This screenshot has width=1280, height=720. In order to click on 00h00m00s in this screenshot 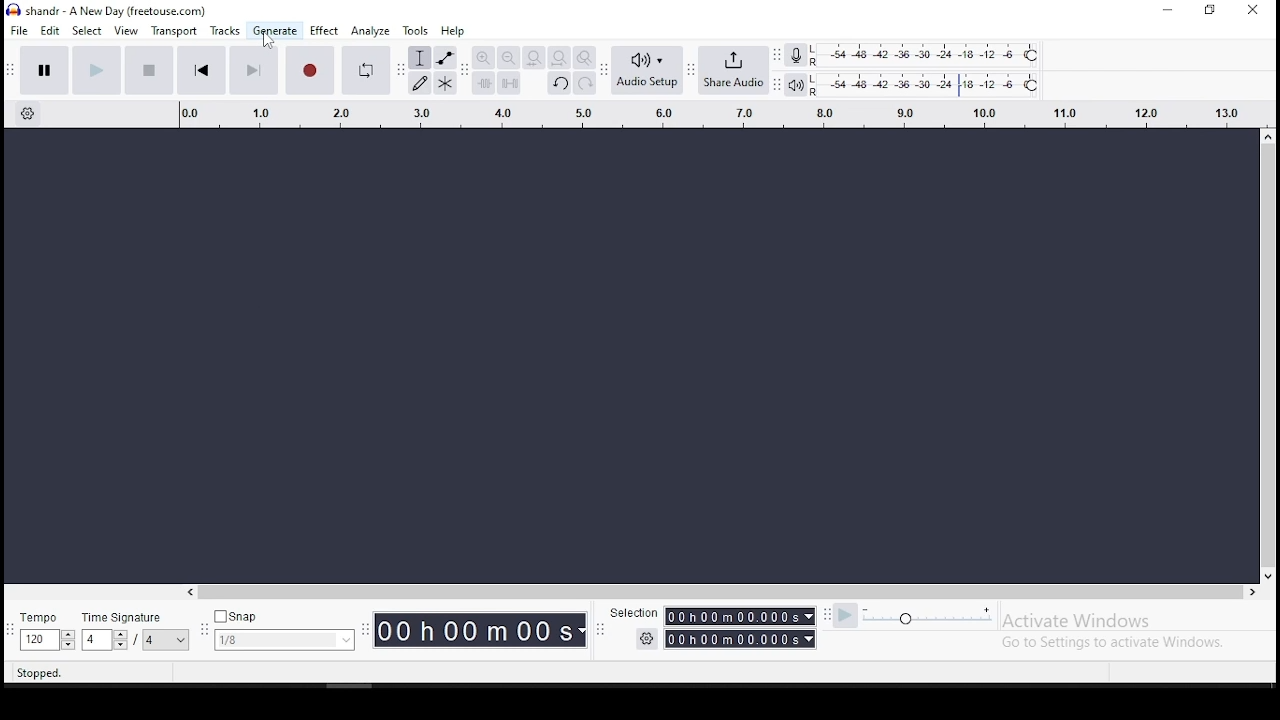, I will do `click(739, 640)`.